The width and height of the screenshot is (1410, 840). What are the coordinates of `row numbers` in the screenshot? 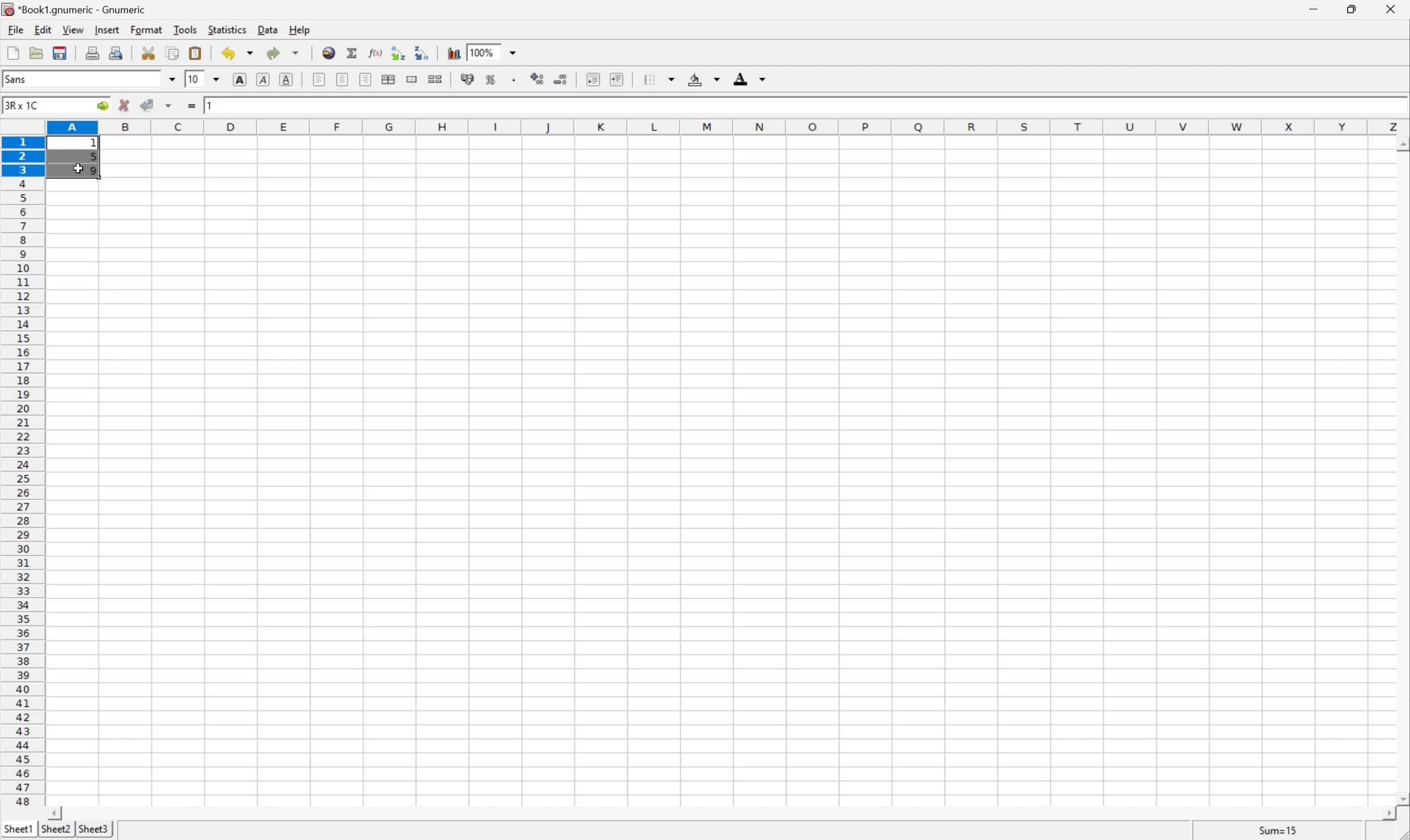 It's located at (22, 472).